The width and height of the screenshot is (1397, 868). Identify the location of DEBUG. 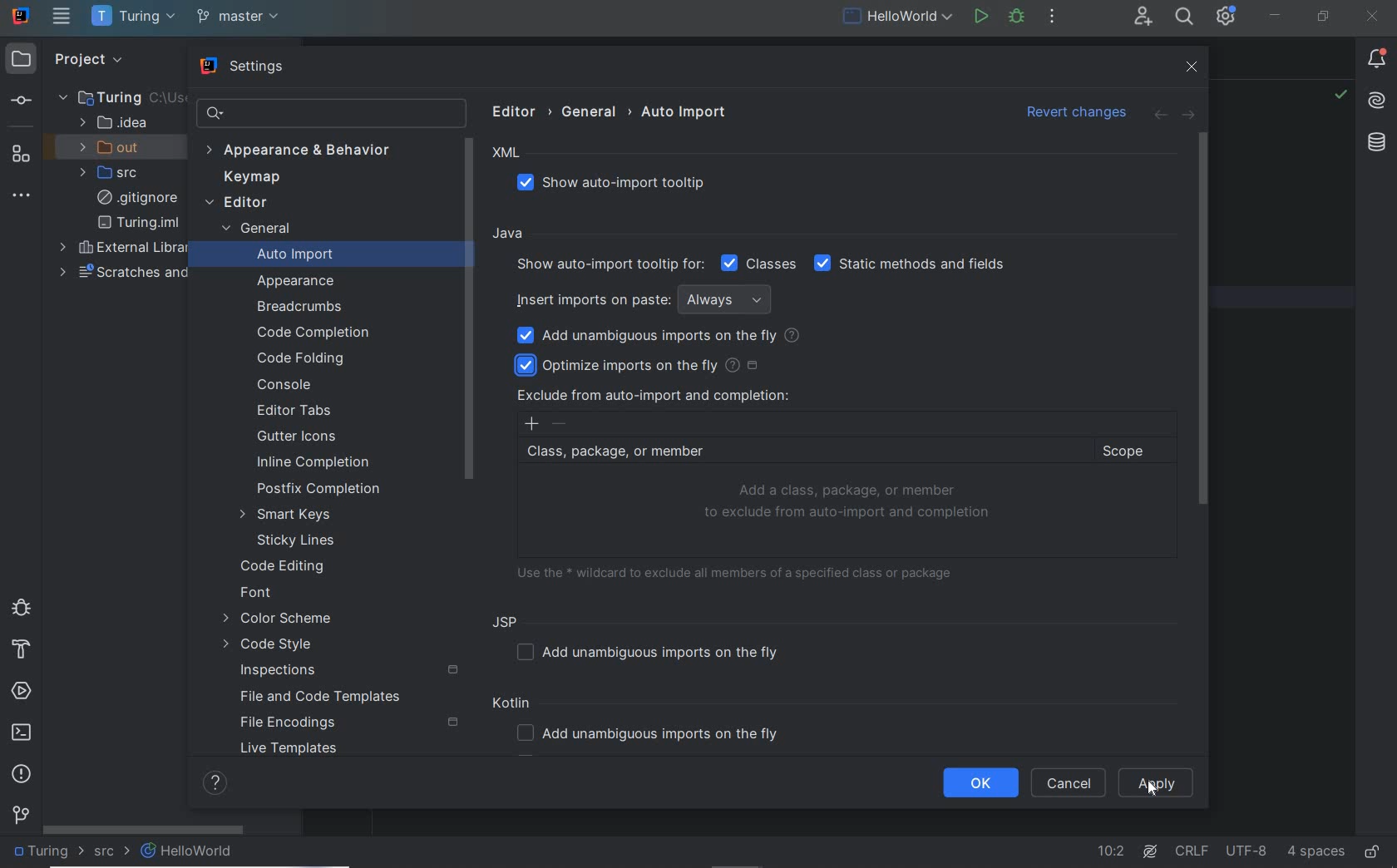
(1016, 16).